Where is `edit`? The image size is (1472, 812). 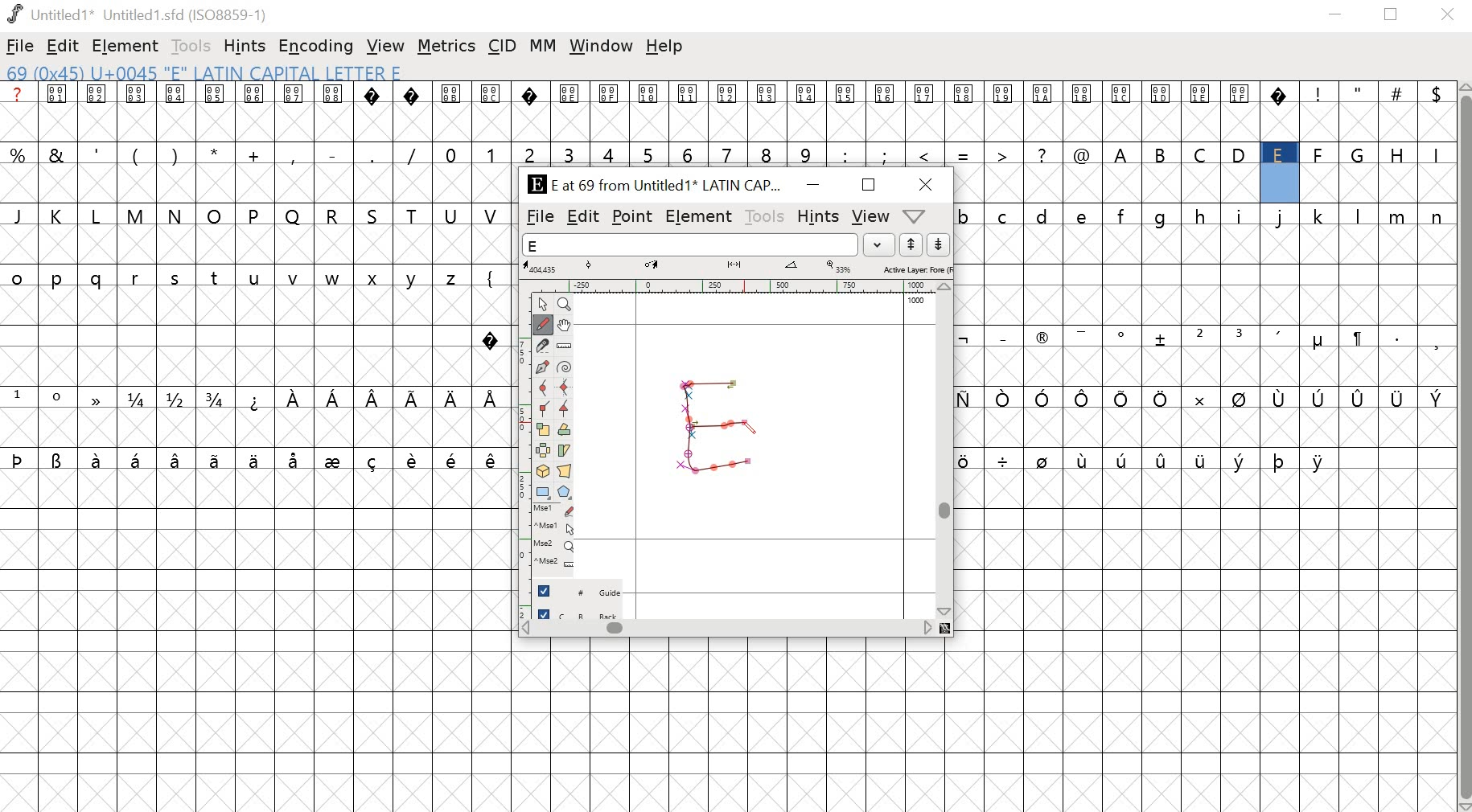
edit is located at coordinates (583, 218).